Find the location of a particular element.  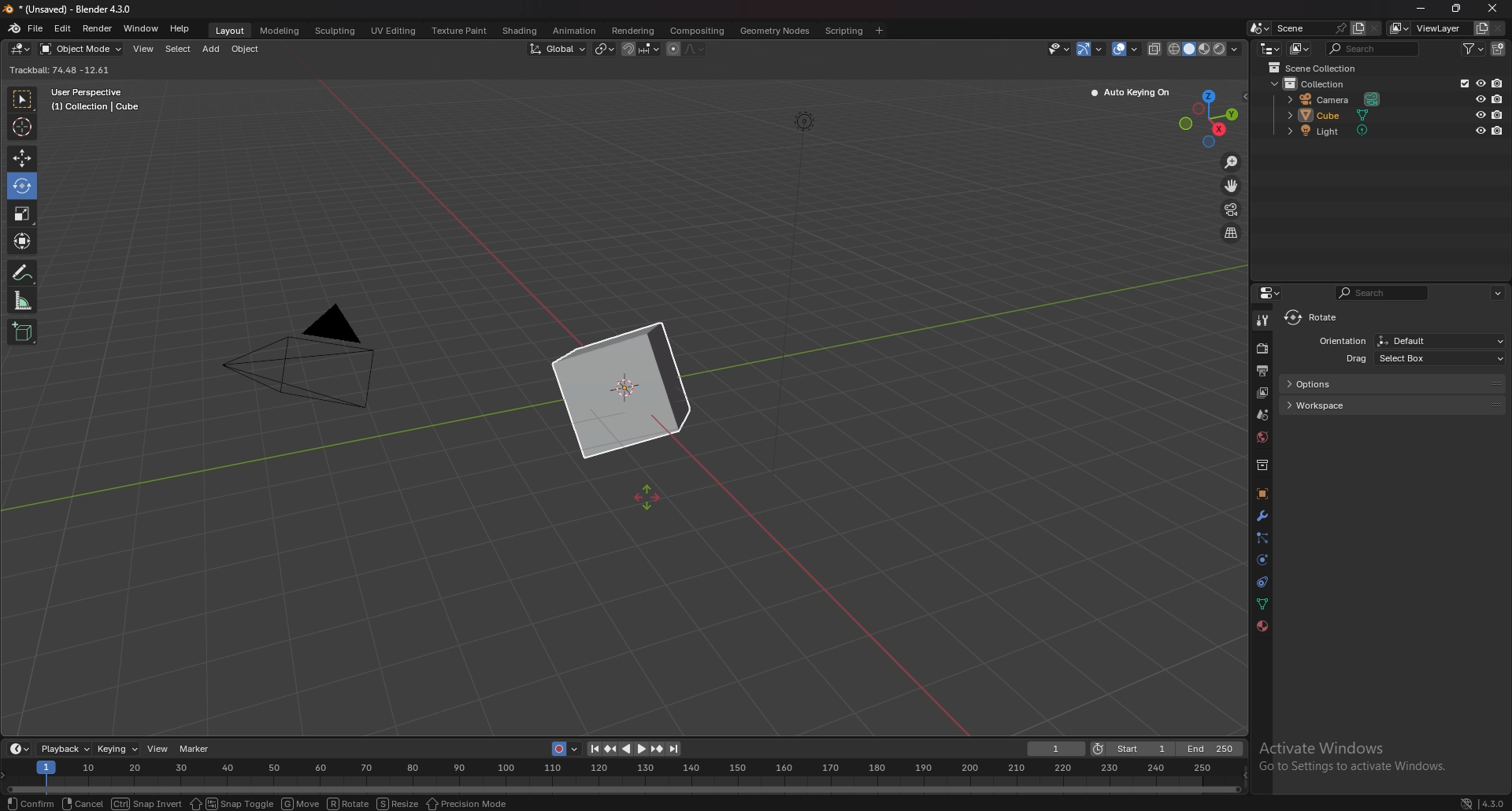

remove view layer is located at coordinates (1499, 28).